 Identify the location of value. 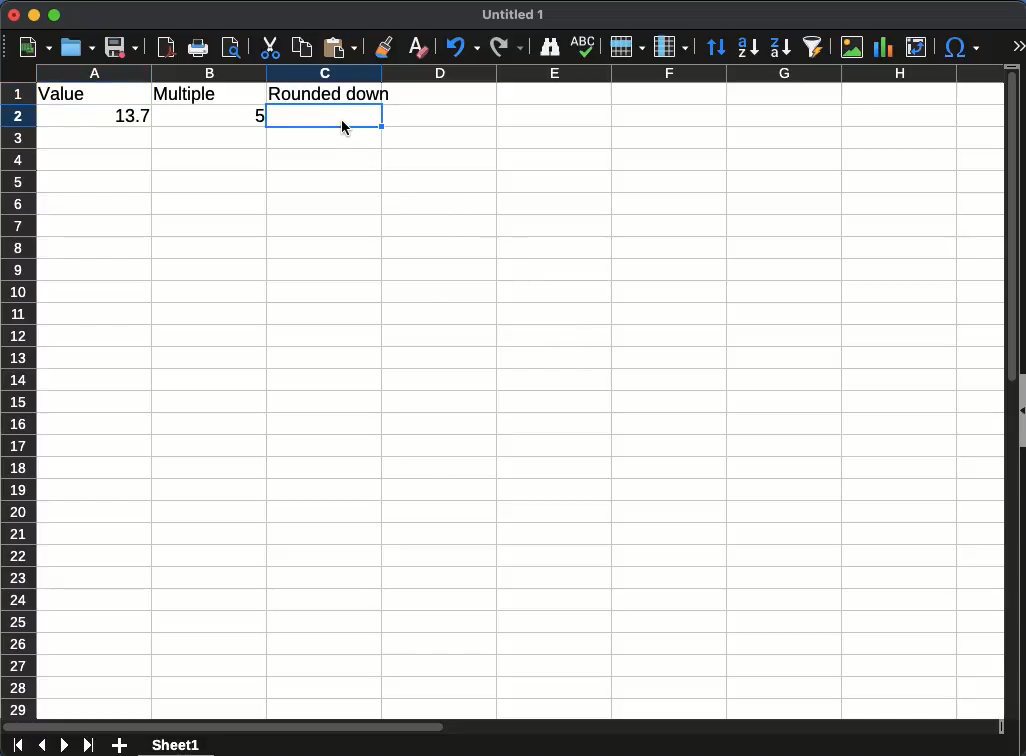
(67, 95).